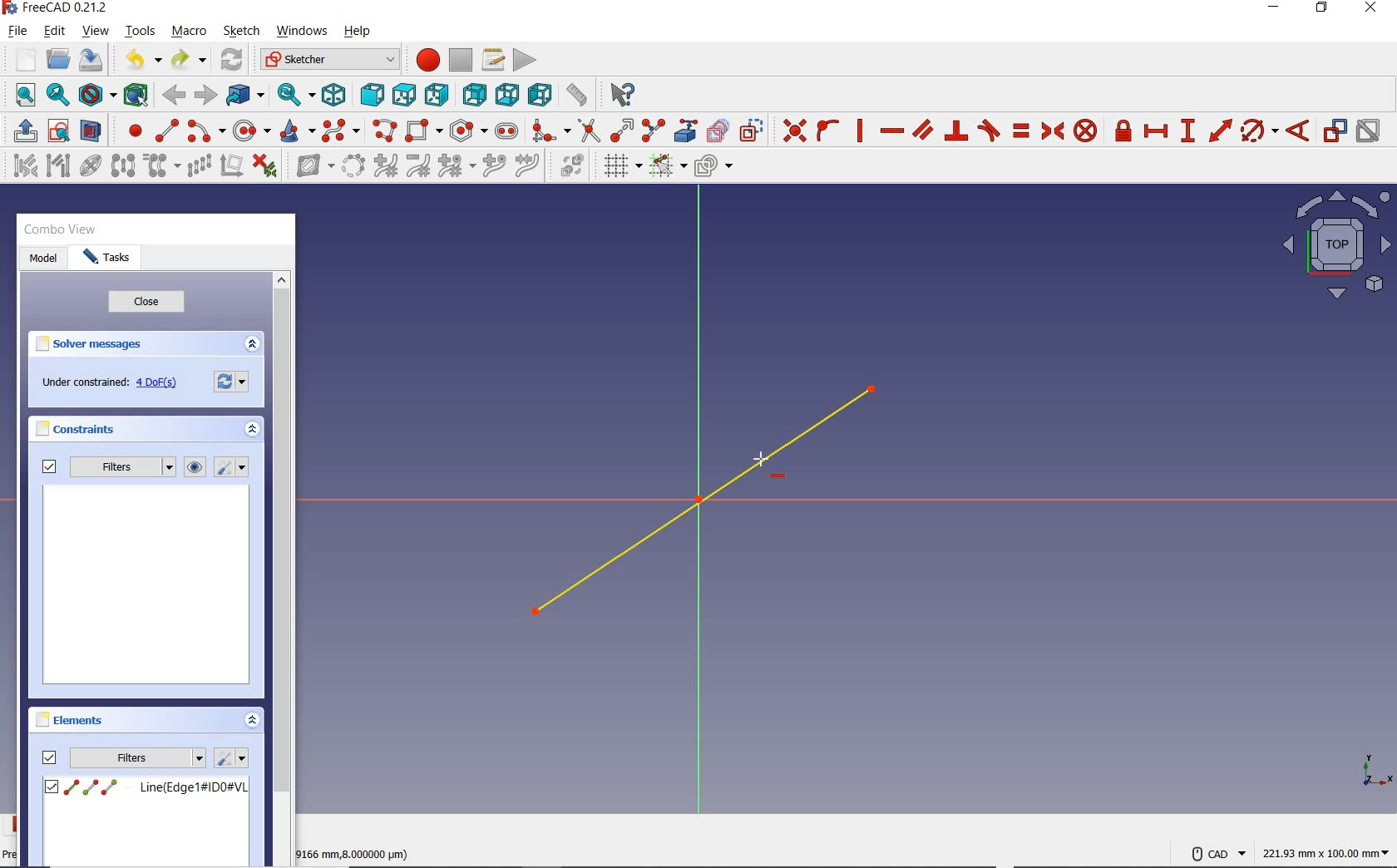 This screenshot has width=1397, height=868. Describe the element at coordinates (91, 130) in the screenshot. I see `VIEW SECTION` at that location.